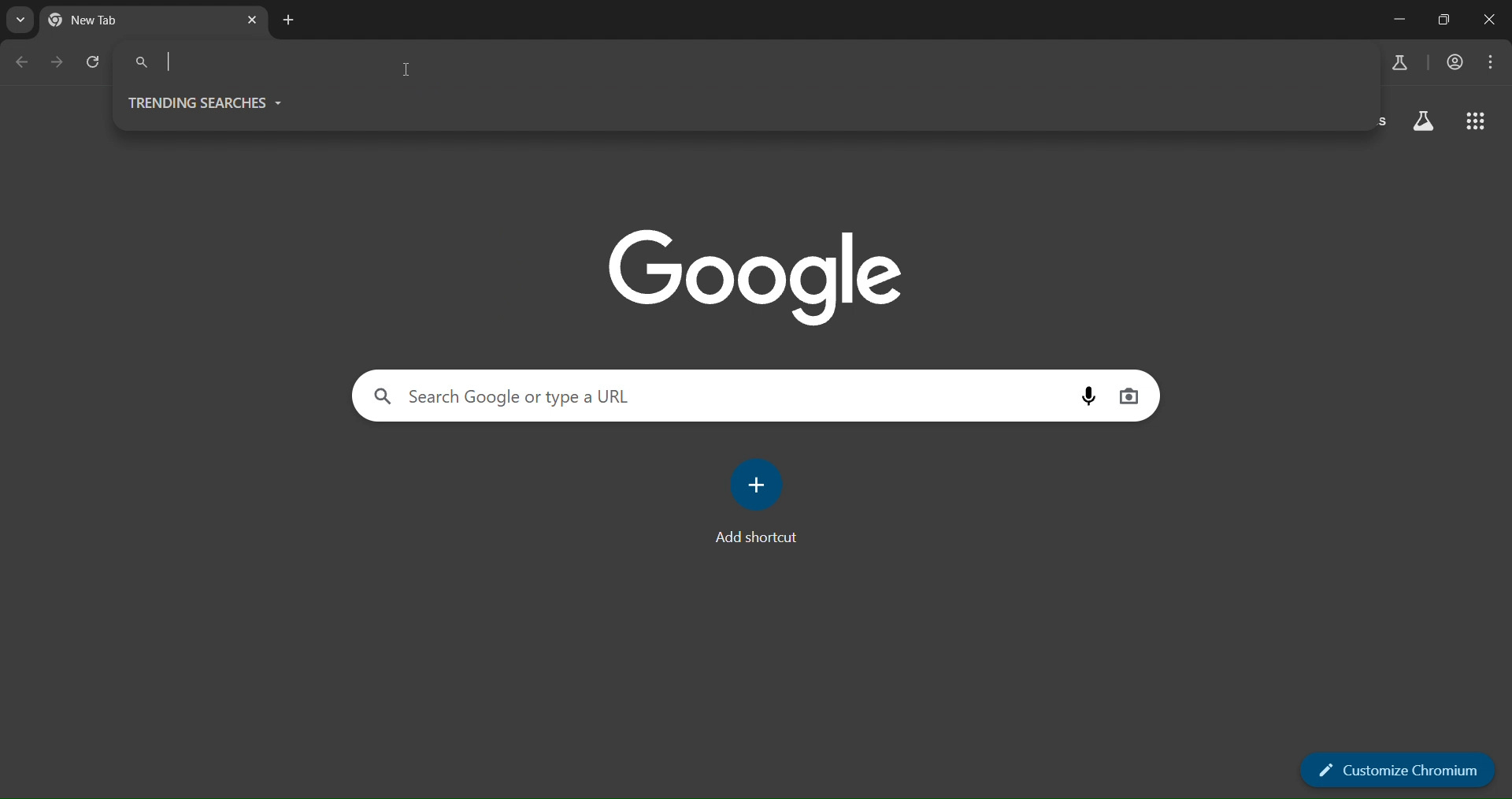 The height and width of the screenshot is (799, 1512). Describe the element at coordinates (291, 20) in the screenshot. I see `new tab` at that location.